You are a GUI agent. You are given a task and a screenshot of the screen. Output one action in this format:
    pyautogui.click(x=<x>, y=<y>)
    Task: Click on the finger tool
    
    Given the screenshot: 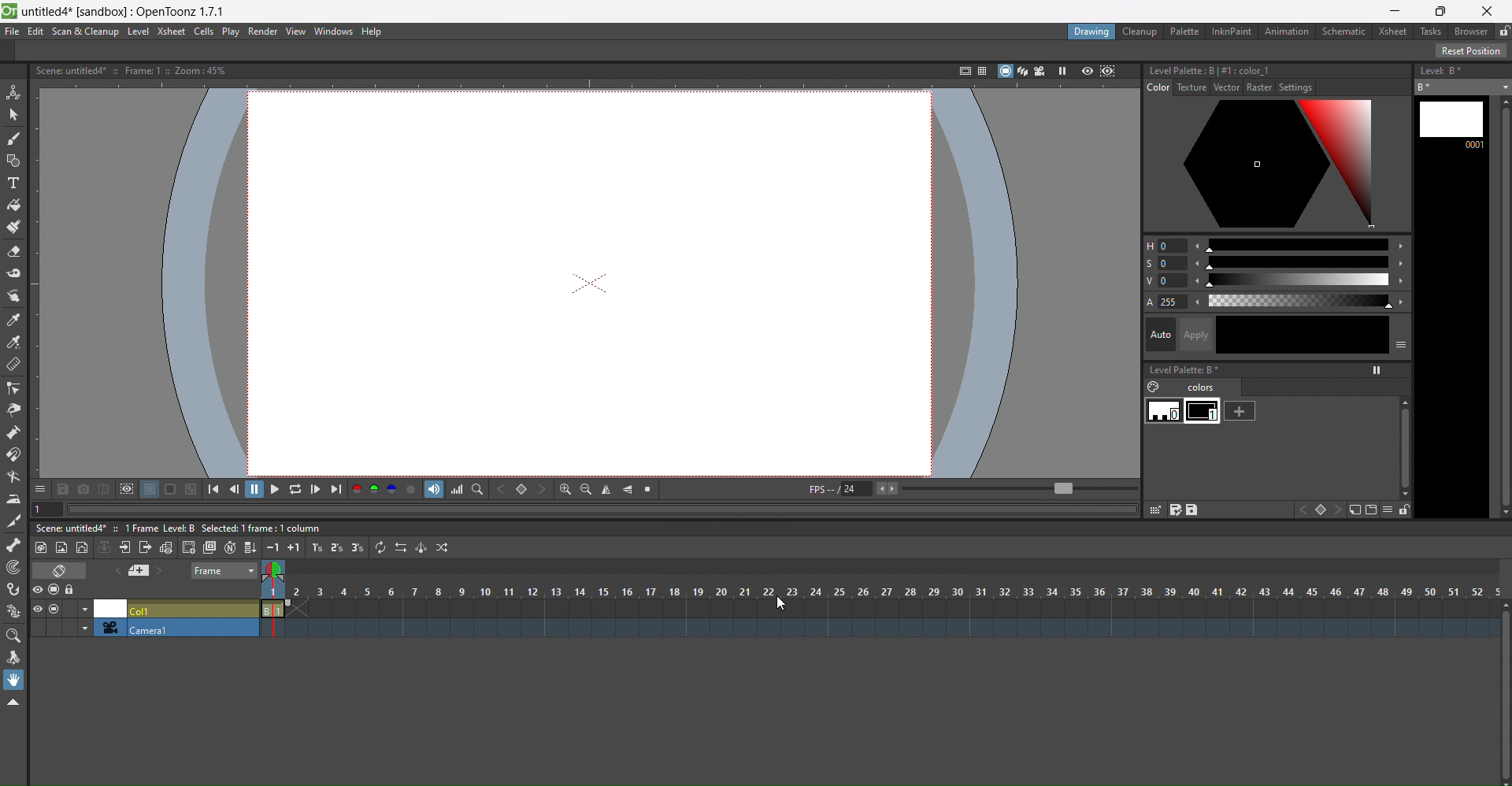 What is the action you would take?
    pyautogui.click(x=13, y=297)
    